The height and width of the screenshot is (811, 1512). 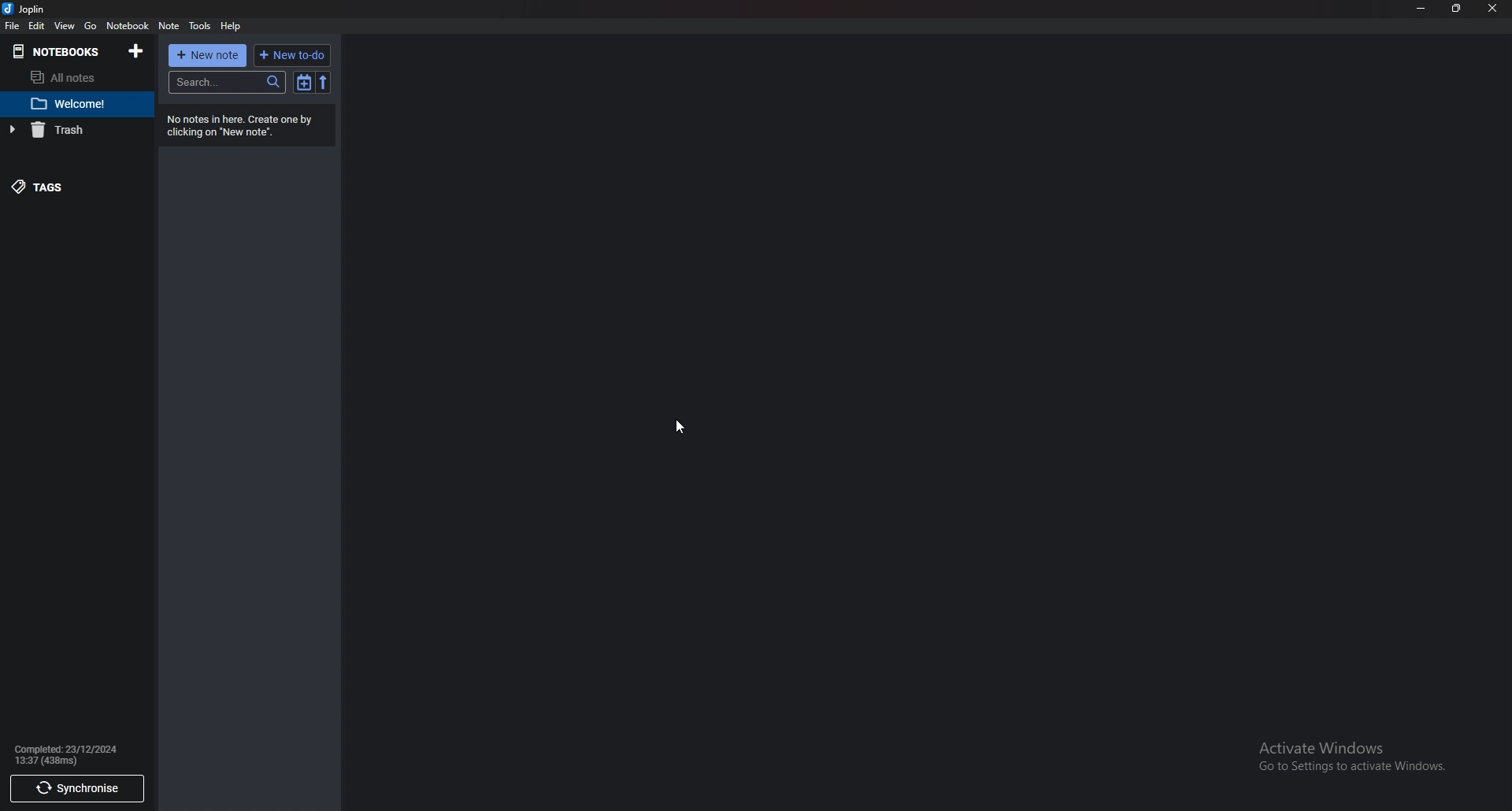 I want to click on Notebook, so click(x=130, y=25).